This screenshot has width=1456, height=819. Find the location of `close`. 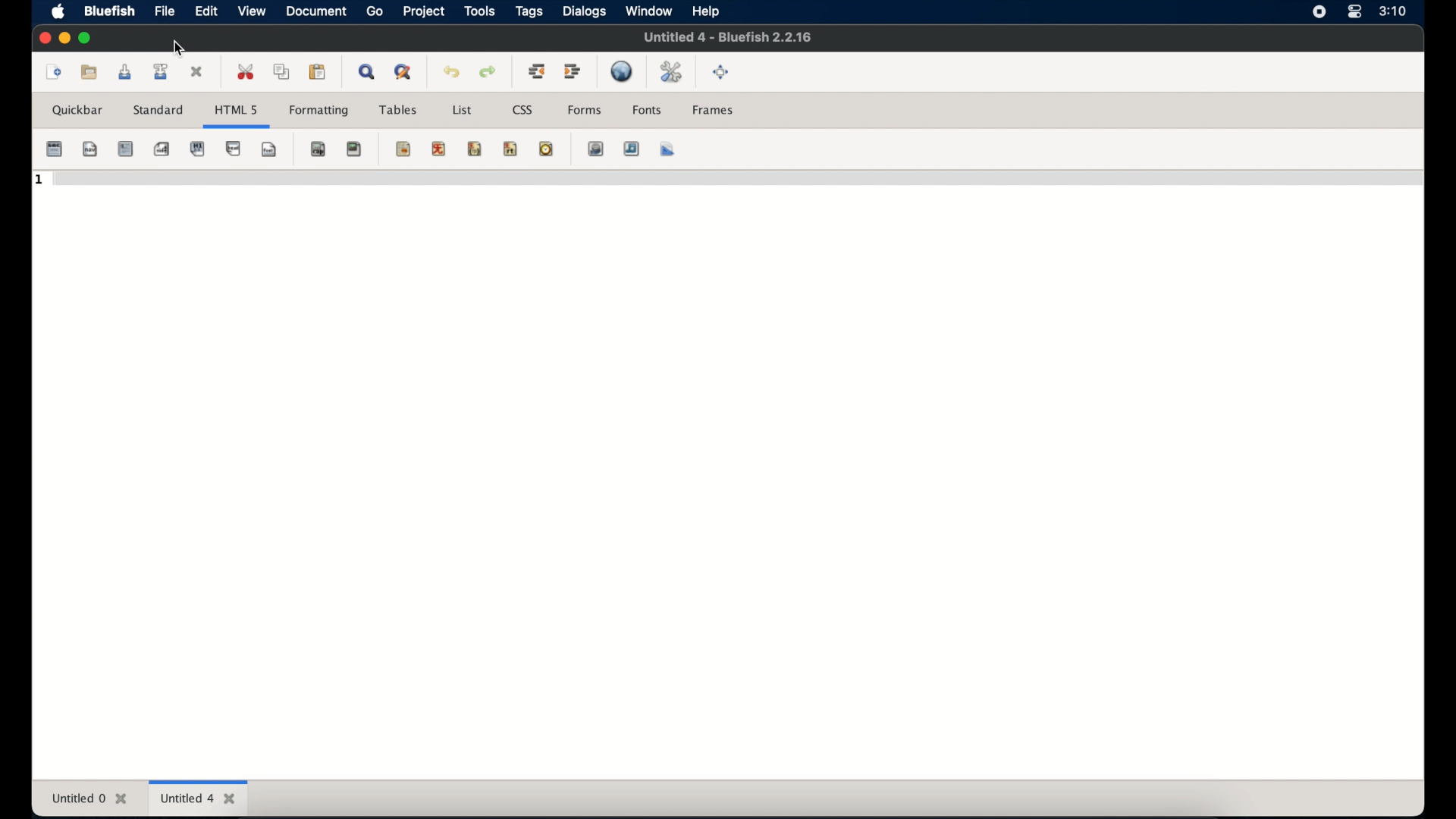

close is located at coordinates (43, 38).